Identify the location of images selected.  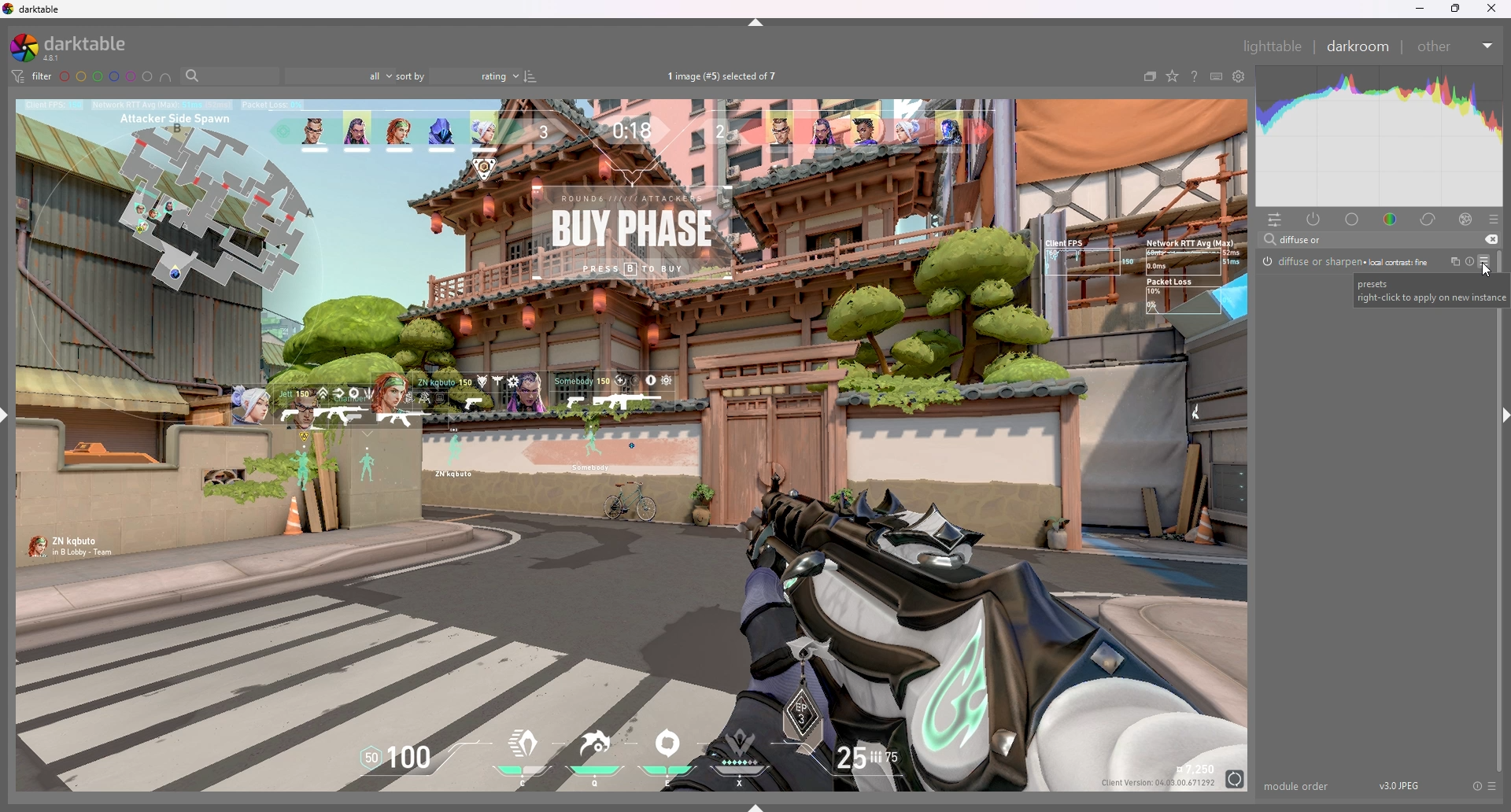
(725, 76).